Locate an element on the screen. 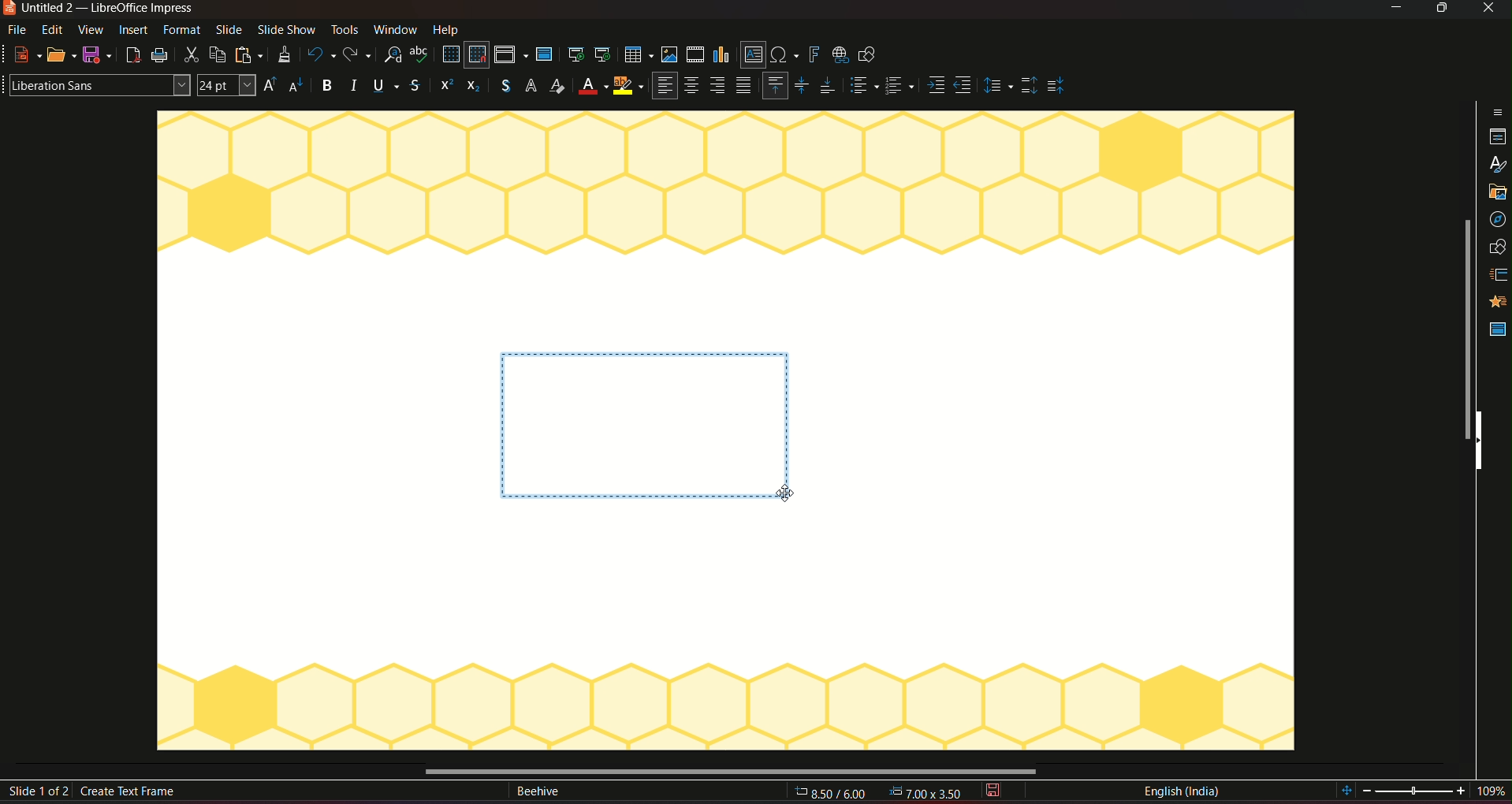  cursor location: 8.70/6.06 is located at coordinates (832, 795).